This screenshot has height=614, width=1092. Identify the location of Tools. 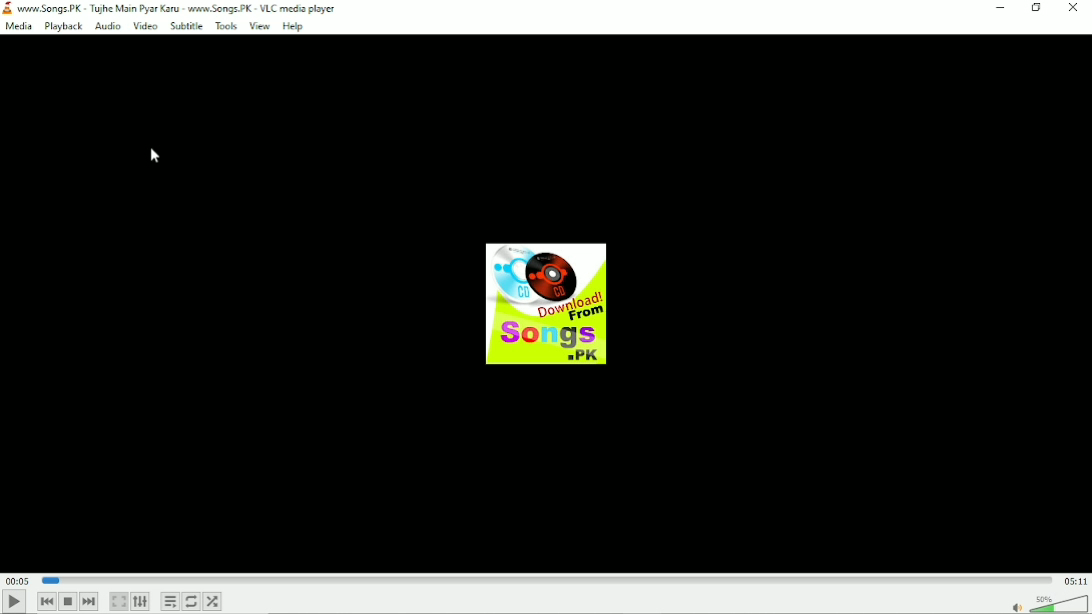
(225, 26).